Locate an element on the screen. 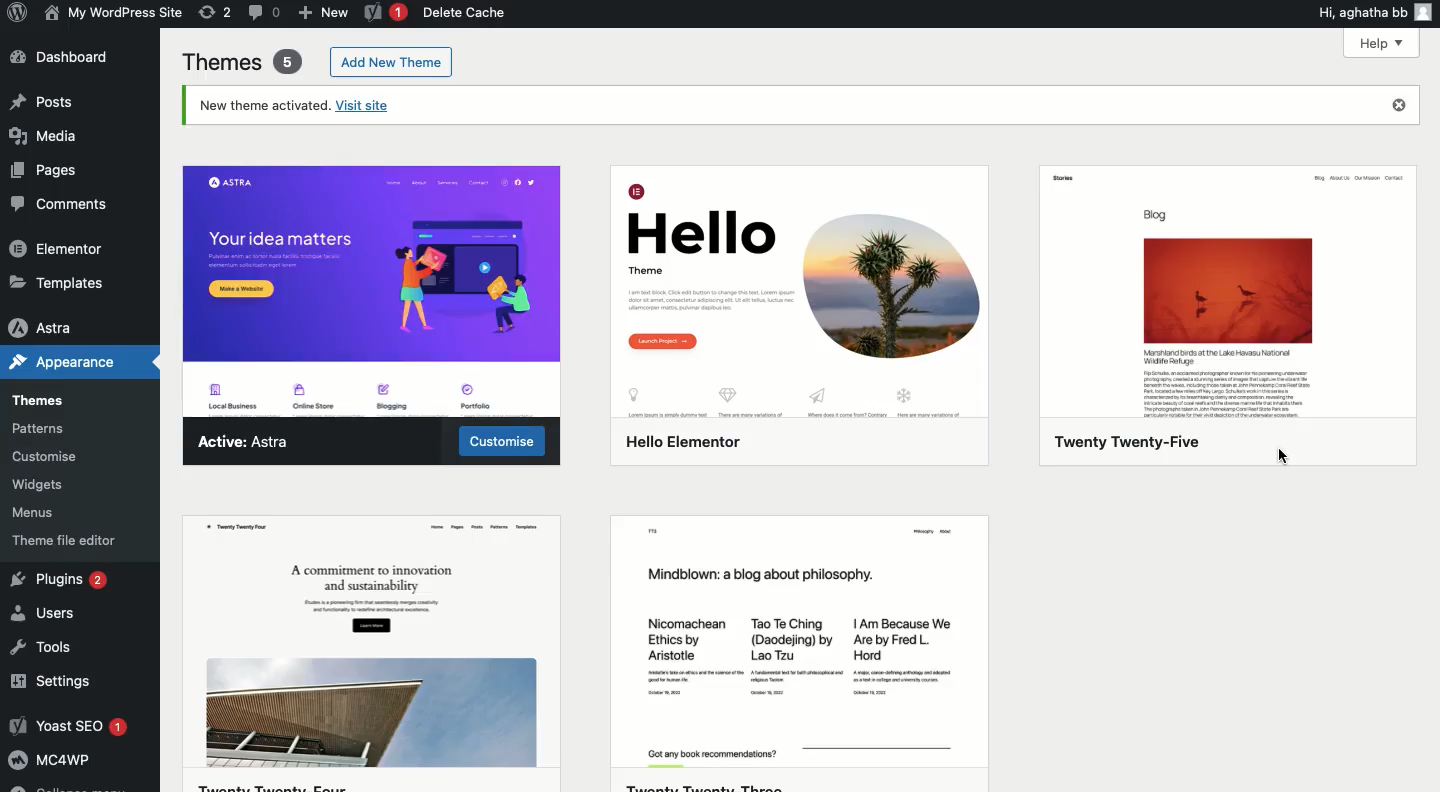 This screenshot has height=792, width=1440. Annotate Logo is located at coordinates (17, 14).